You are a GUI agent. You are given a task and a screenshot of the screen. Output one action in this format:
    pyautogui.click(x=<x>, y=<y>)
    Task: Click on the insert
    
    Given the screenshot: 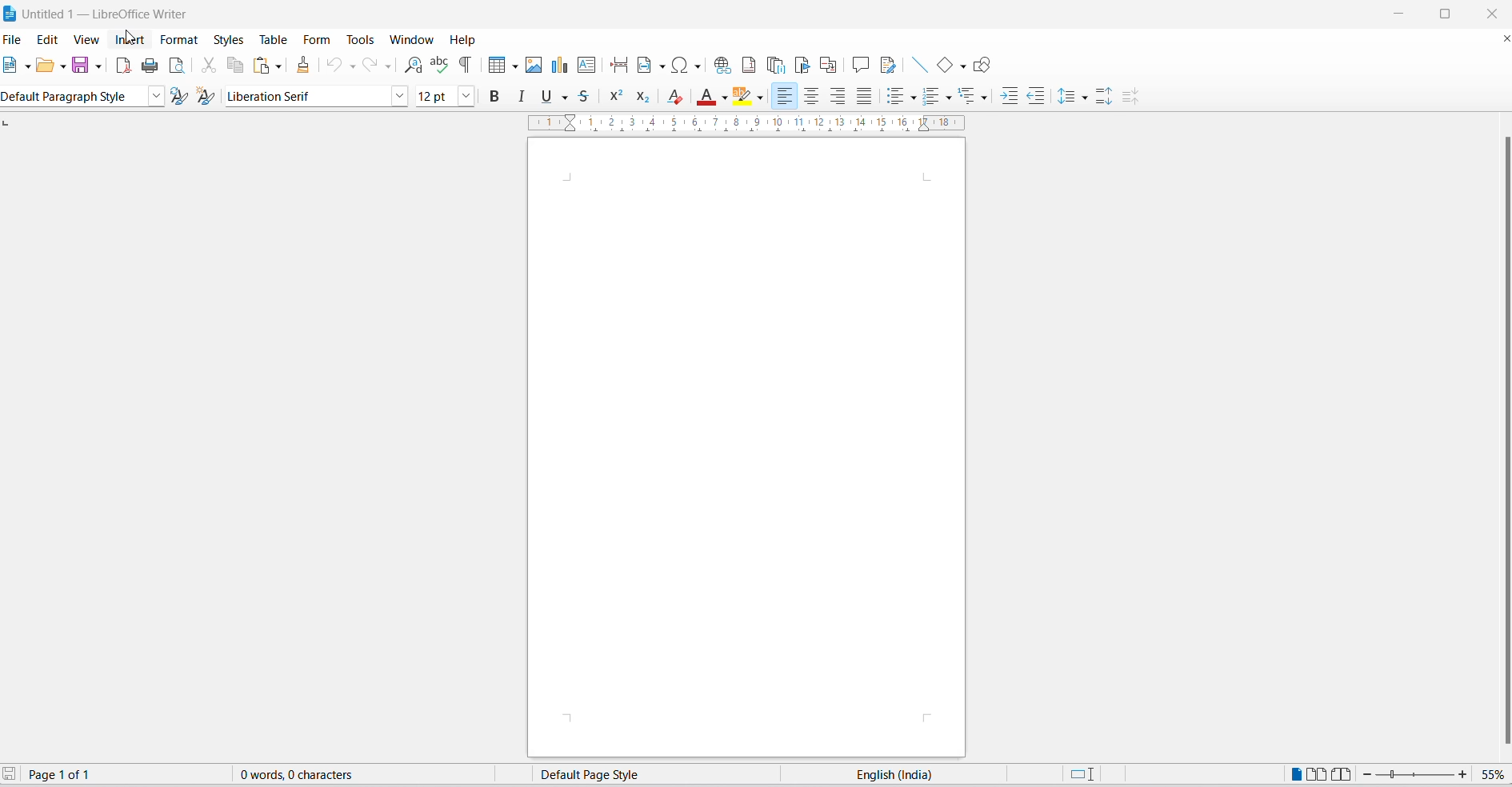 What is the action you would take?
    pyautogui.click(x=128, y=37)
    